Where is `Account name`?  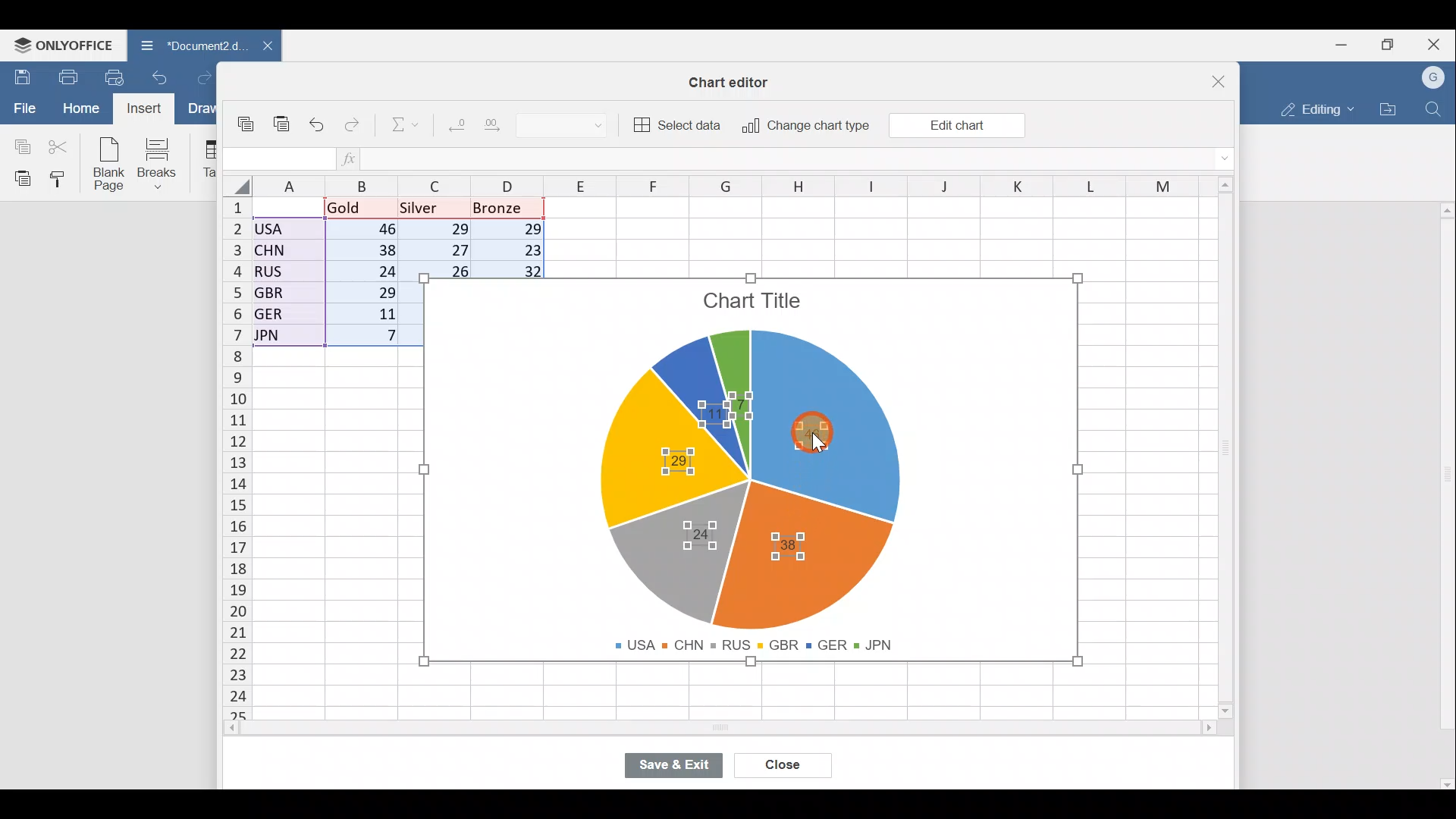 Account name is located at coordinates (1434, 78).